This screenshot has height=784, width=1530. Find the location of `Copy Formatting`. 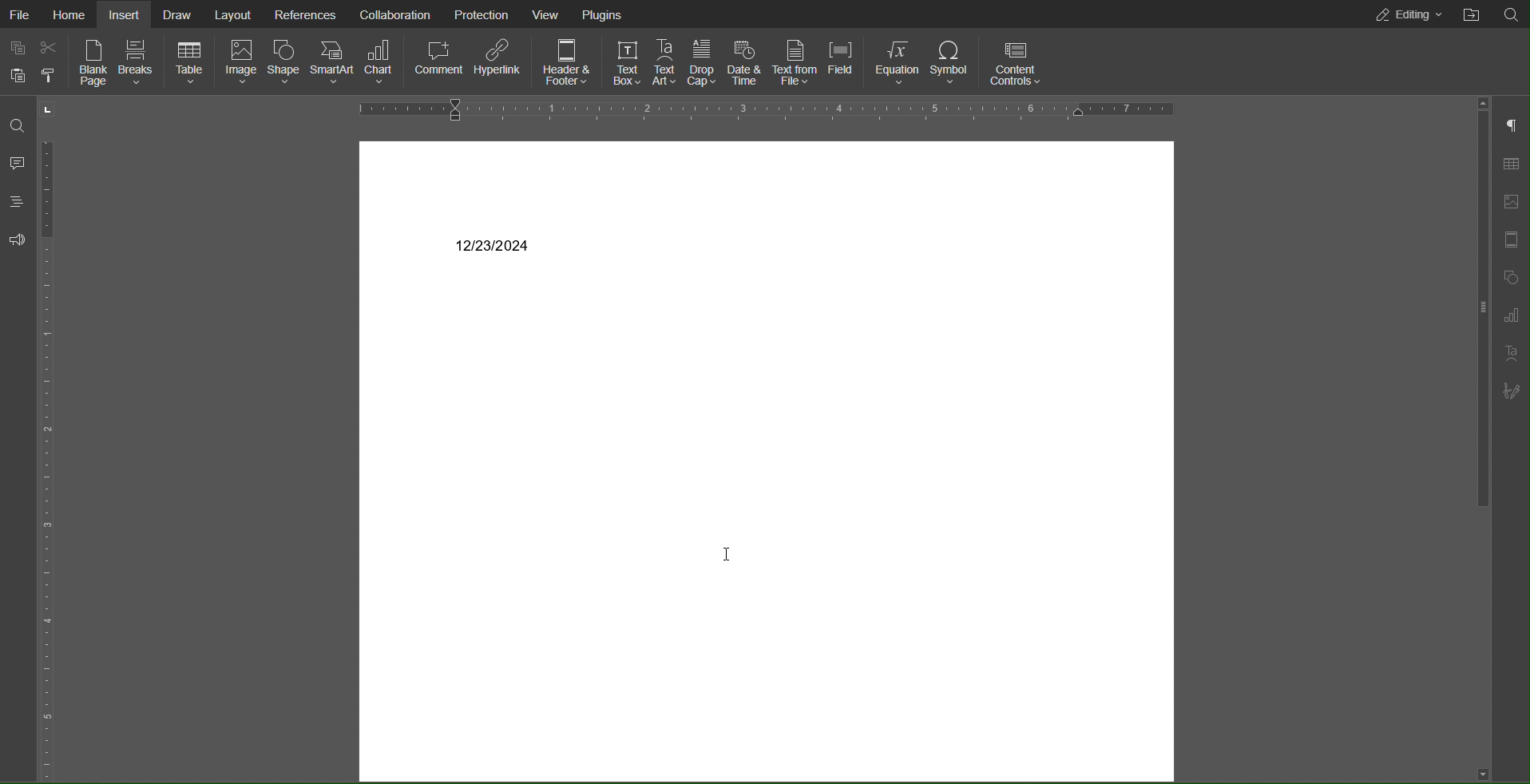

Copy Formatting is located at coordinates (47, 77).